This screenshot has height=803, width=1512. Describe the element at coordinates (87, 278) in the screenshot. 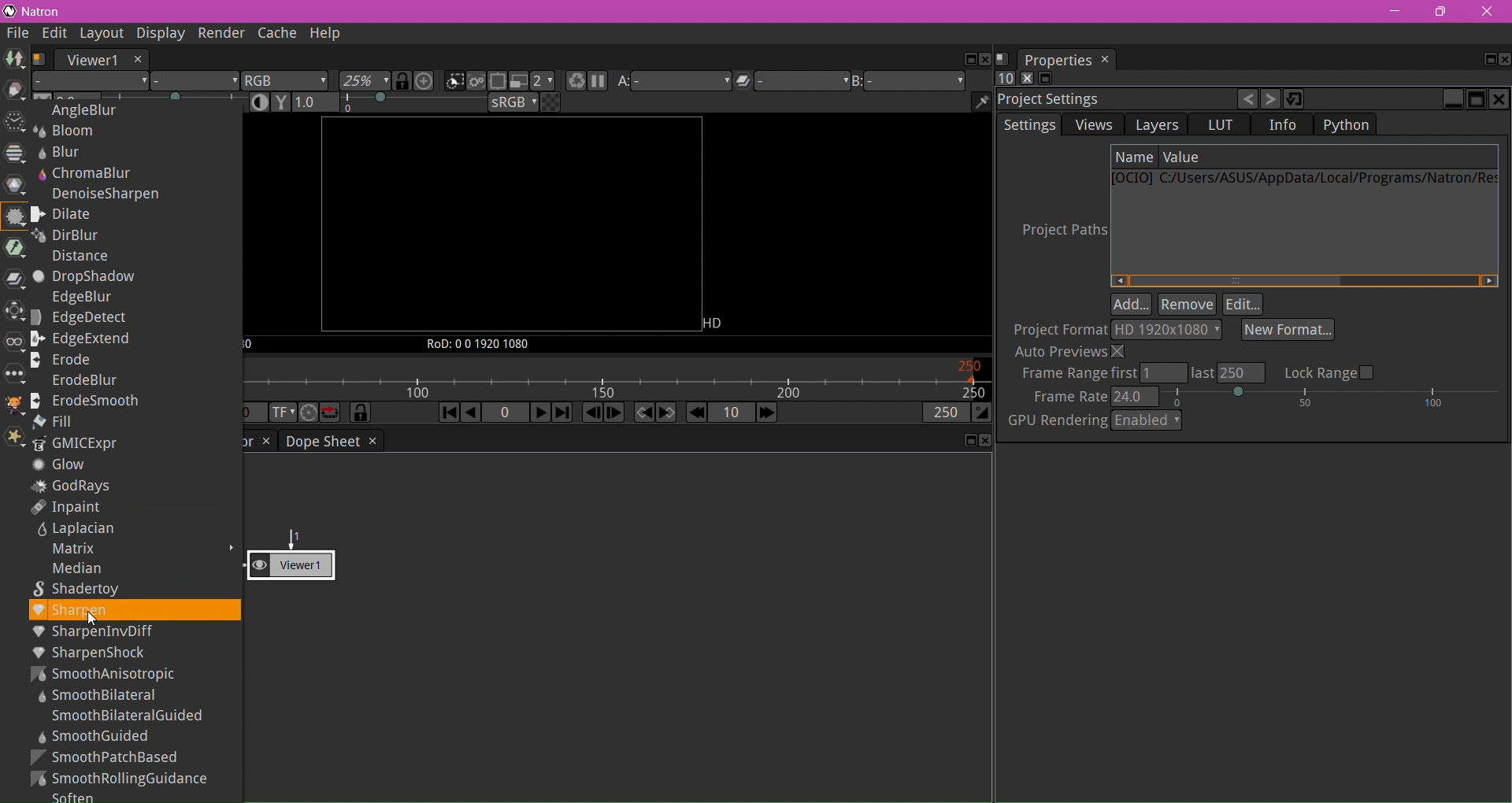

I see `DropShadow` at that location.